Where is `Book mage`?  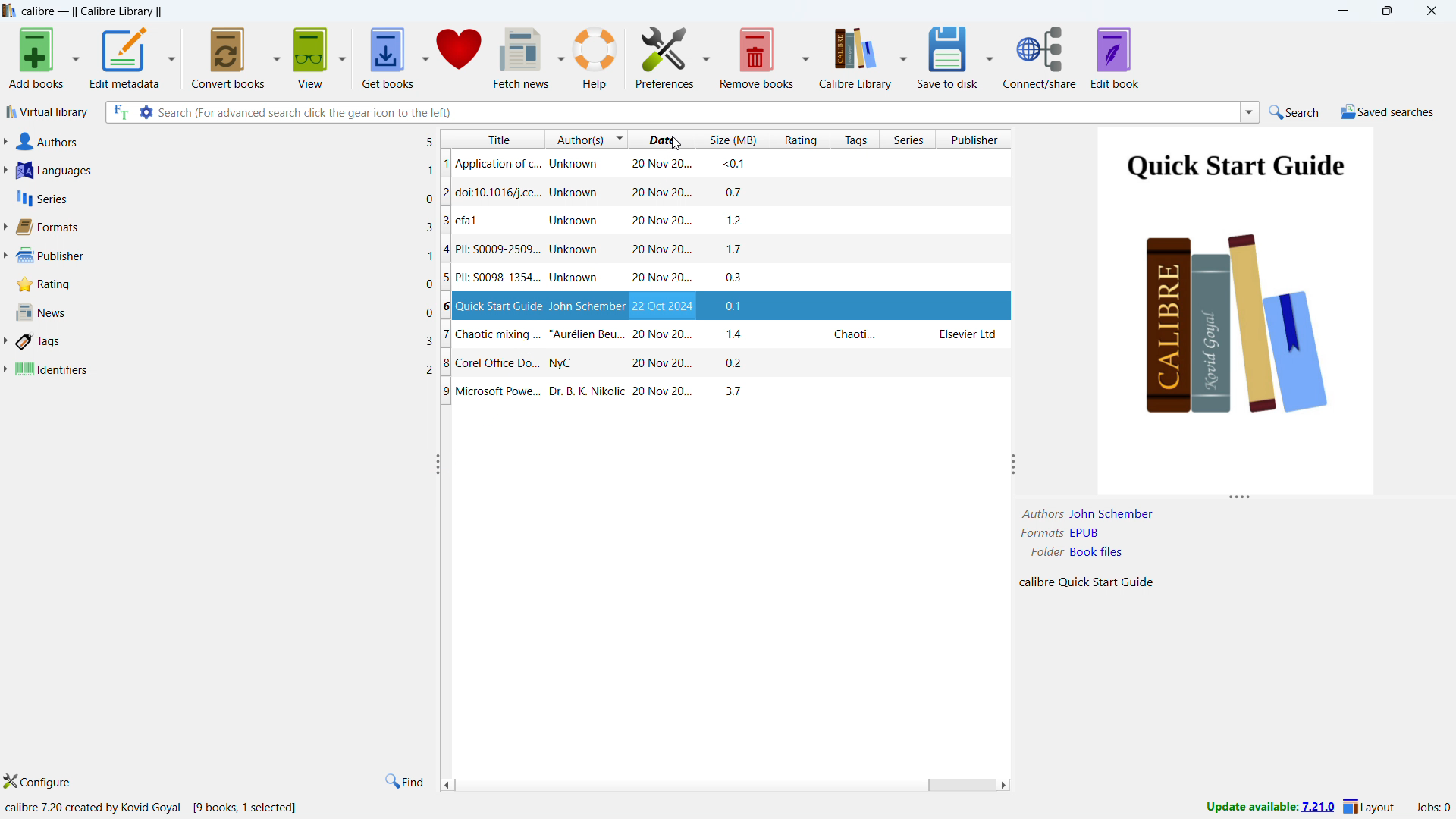 Book mage is located at coordinates (1235, 310).